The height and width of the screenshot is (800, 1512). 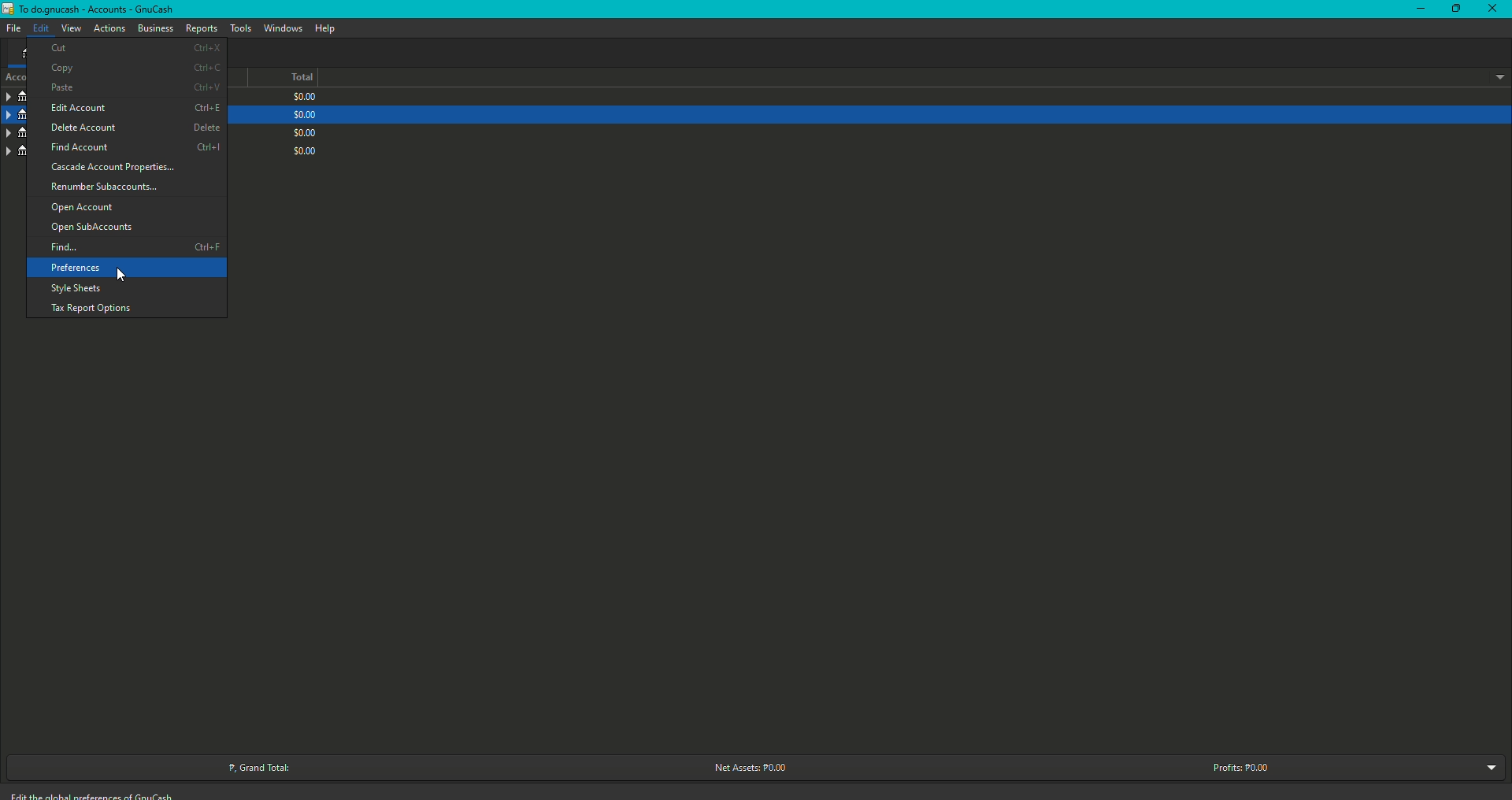 I want to click on Edit Account, so click(x=132, y=109).